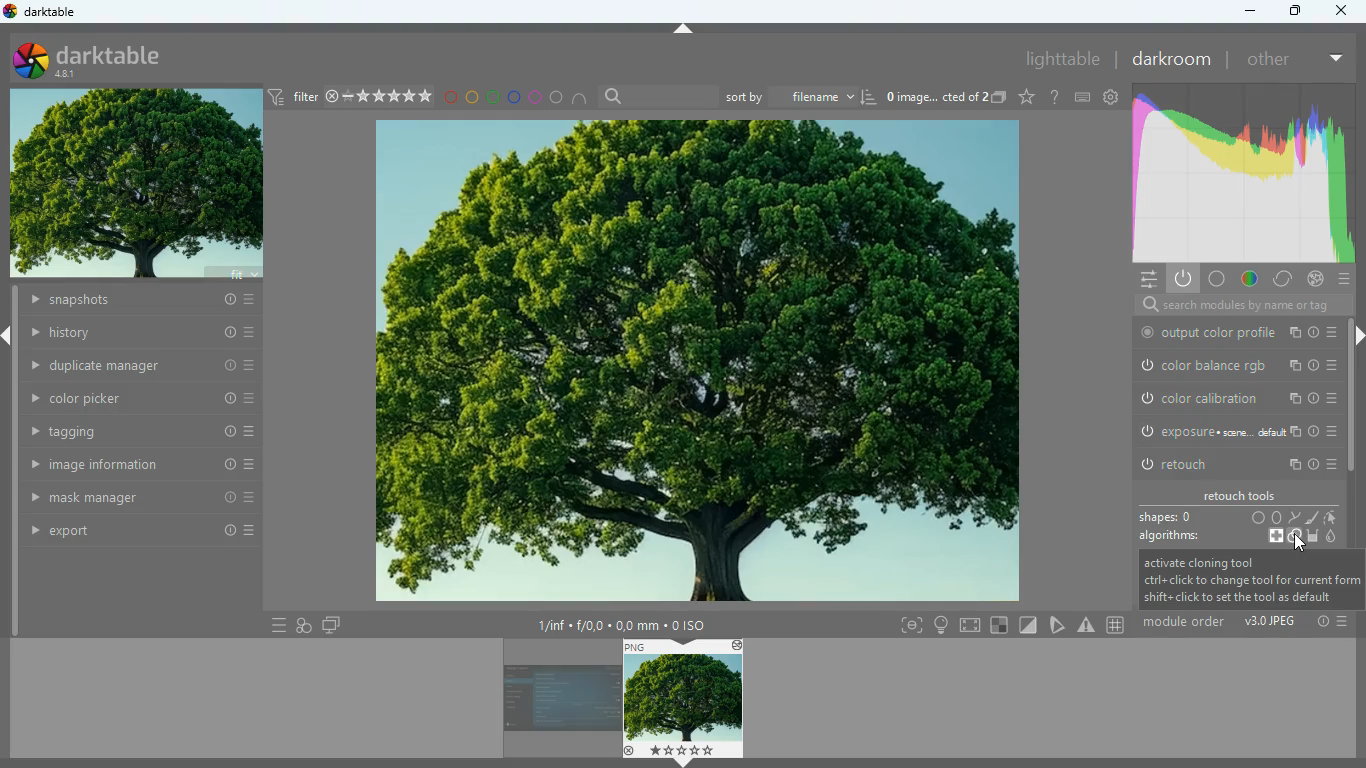 The image size is (1366, 768). What do you see at coordinates (798, 98) in the screenshot?
I see `sort by filename` at bounding box center [798, 98].